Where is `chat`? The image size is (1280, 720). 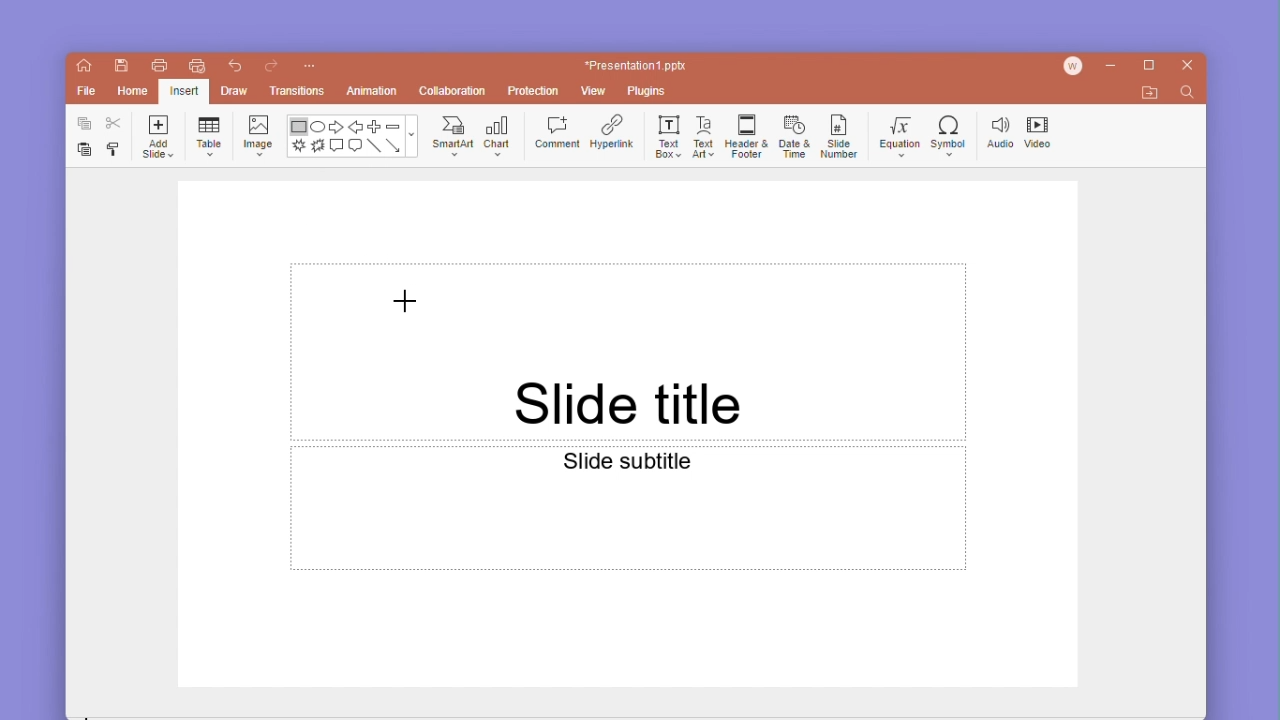 chat is located at coordinates (500, 134).